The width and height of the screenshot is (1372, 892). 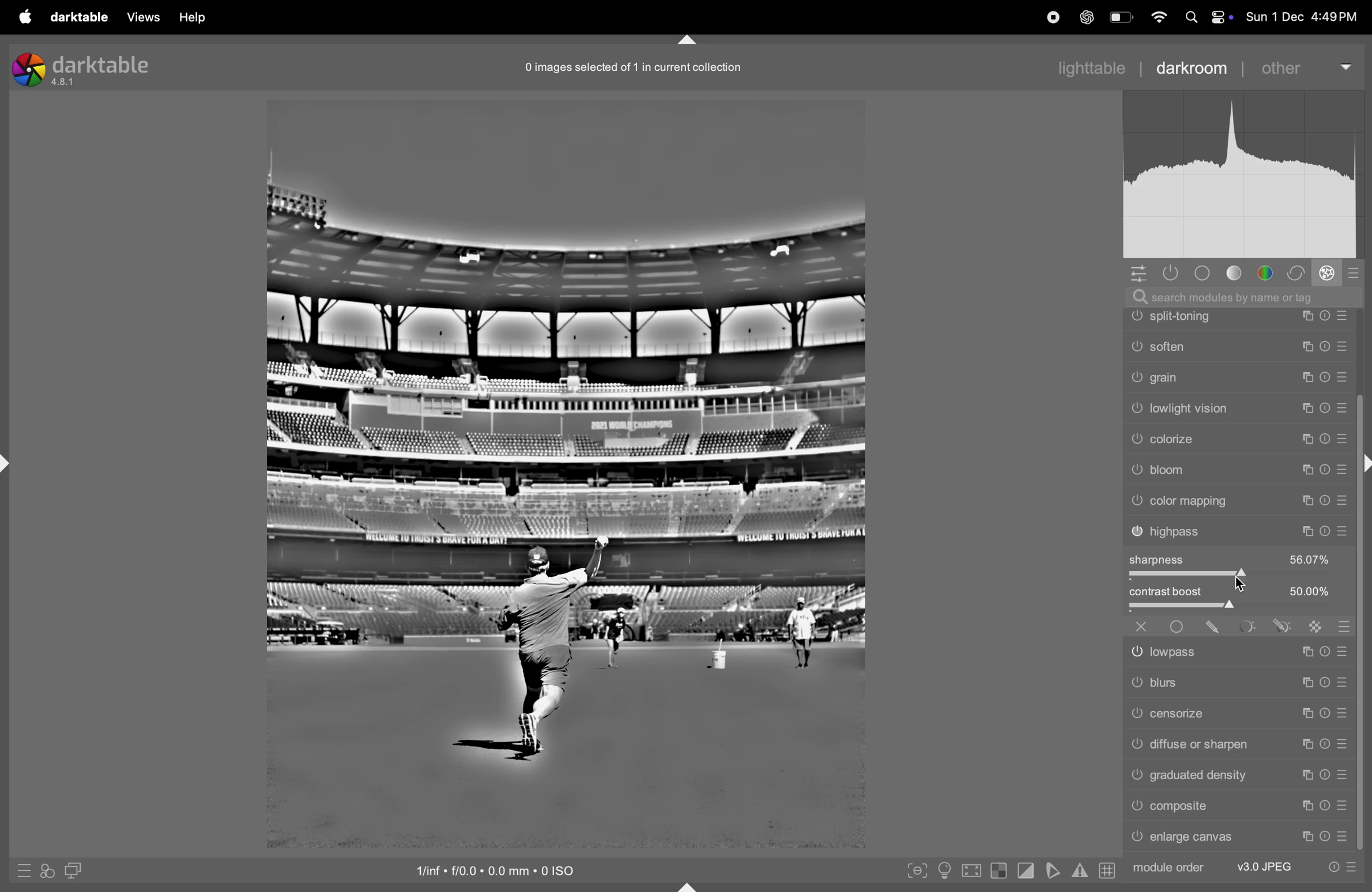 What do you see at coordinates (1171, 273) in the screenshot?
I see `show only active modules` at bounding box center [1171, 273].